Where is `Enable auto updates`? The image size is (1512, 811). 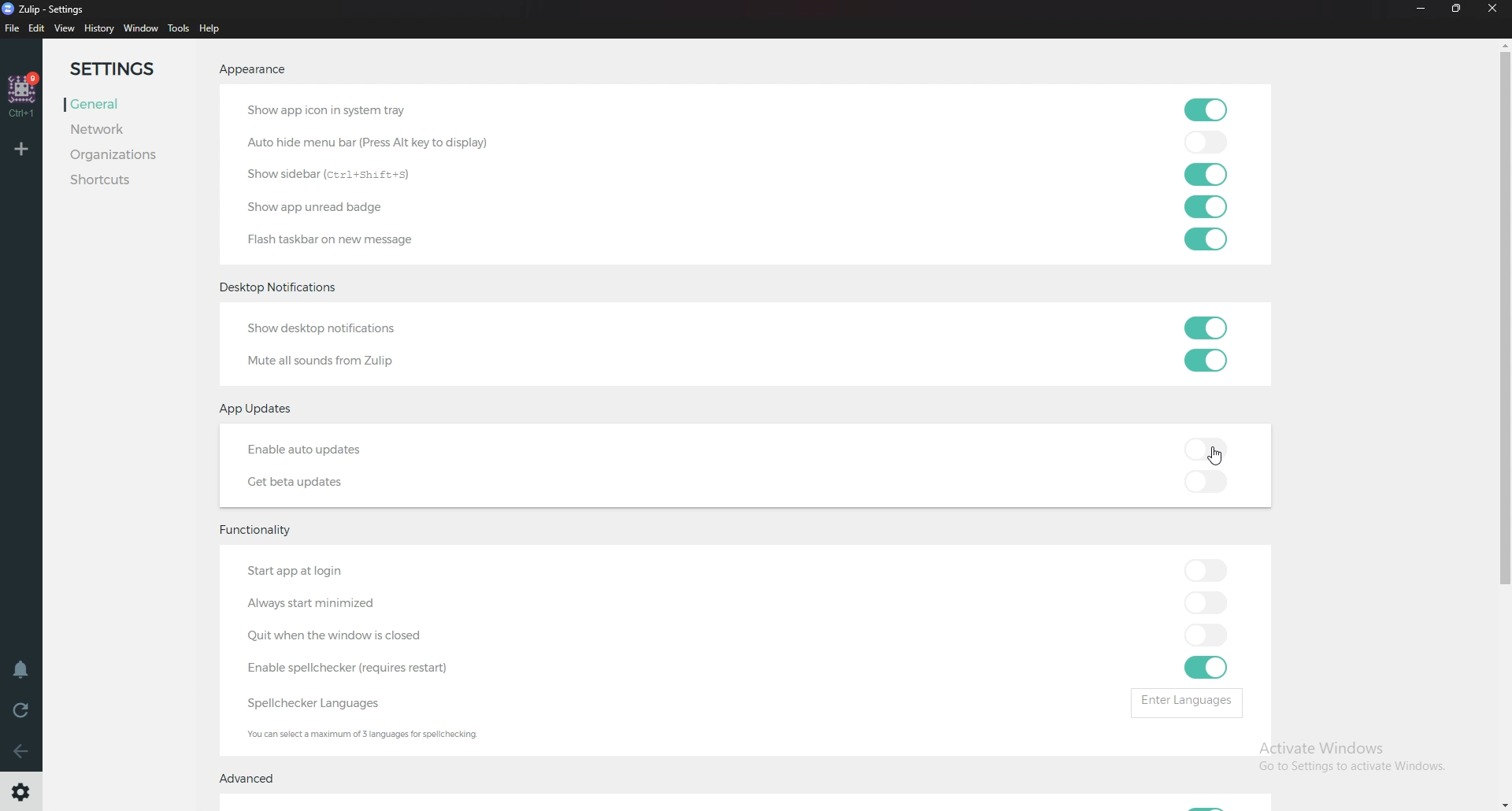 Enable auto updates is located at coordinates (327, 450).